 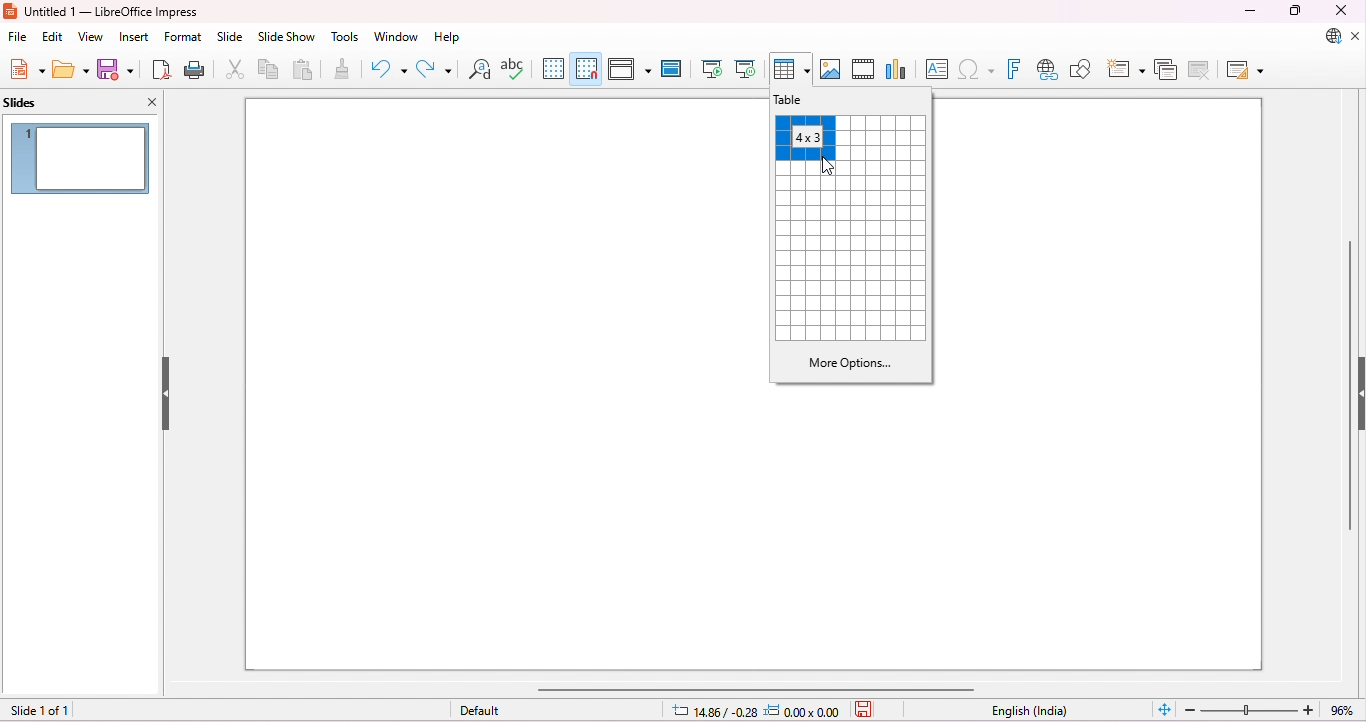 I want to click on print, so click(x=197, y=71).